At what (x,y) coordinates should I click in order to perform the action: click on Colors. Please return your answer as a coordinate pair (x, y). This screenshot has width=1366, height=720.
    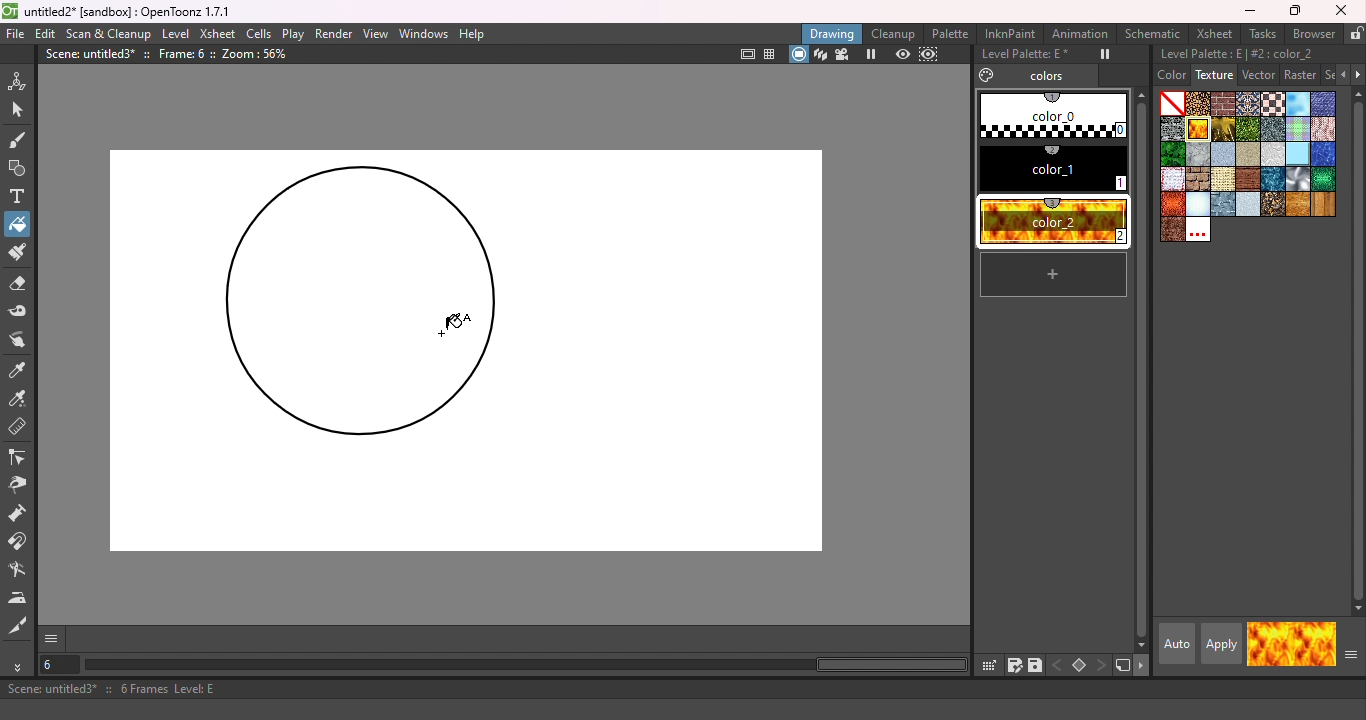
    Looking at the image, I should click on (1034, 76).